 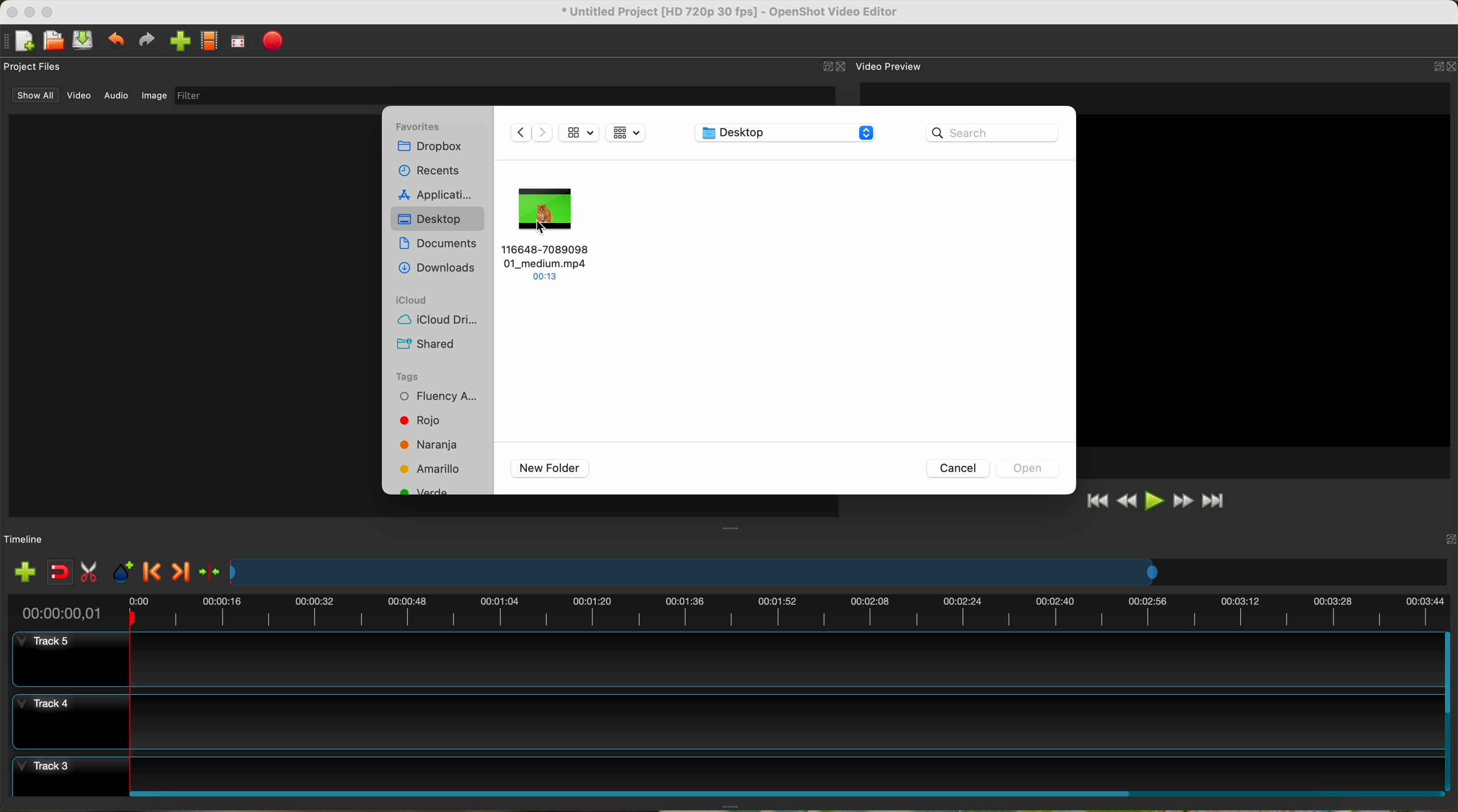 What do you see at coordinates (115, 38) in the screenshot?
I see `undo` at bounding box center [115, 38].